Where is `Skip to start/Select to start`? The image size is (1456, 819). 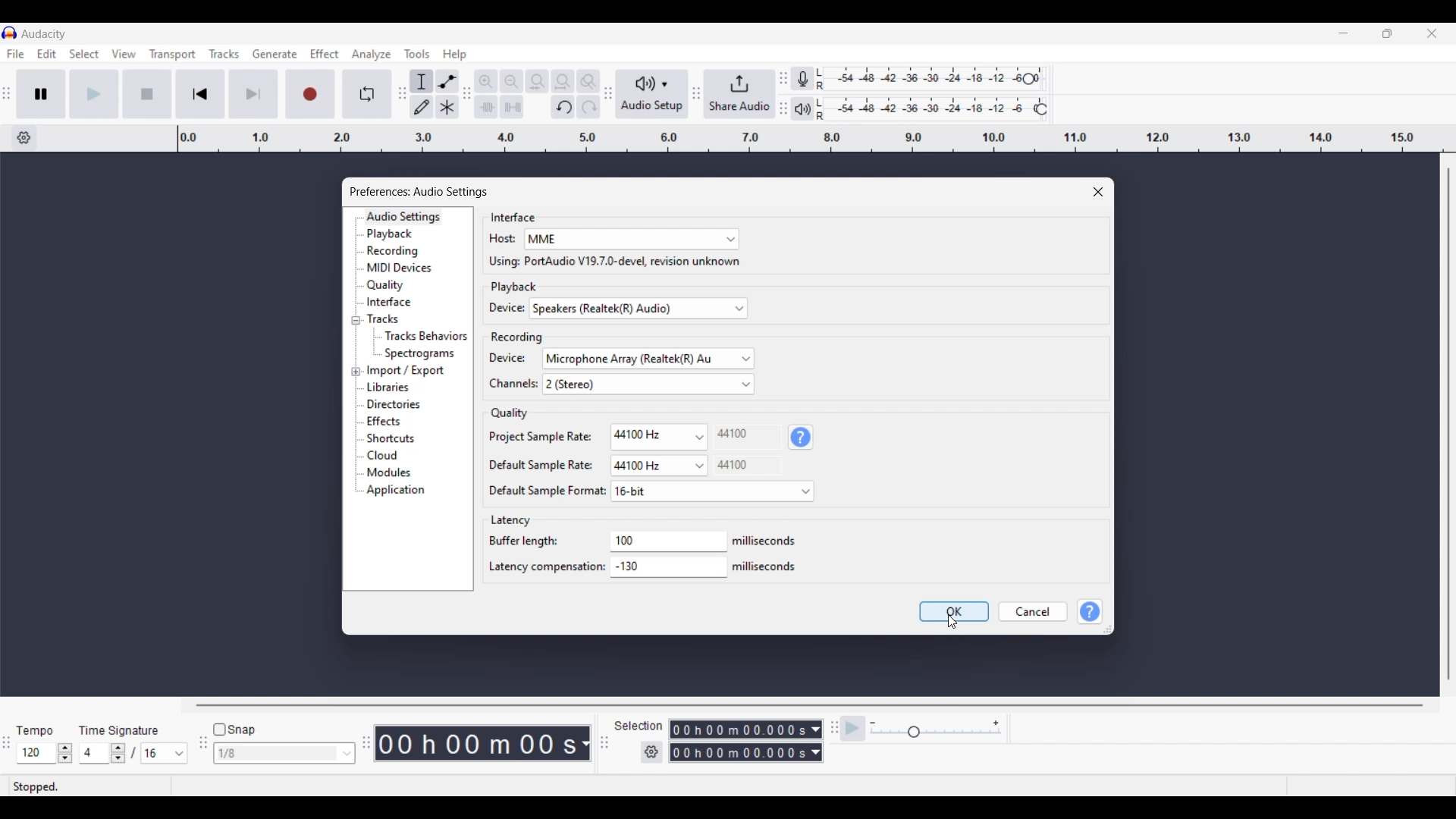
Skip to start/Select to start is located at coordinates (200, 93).